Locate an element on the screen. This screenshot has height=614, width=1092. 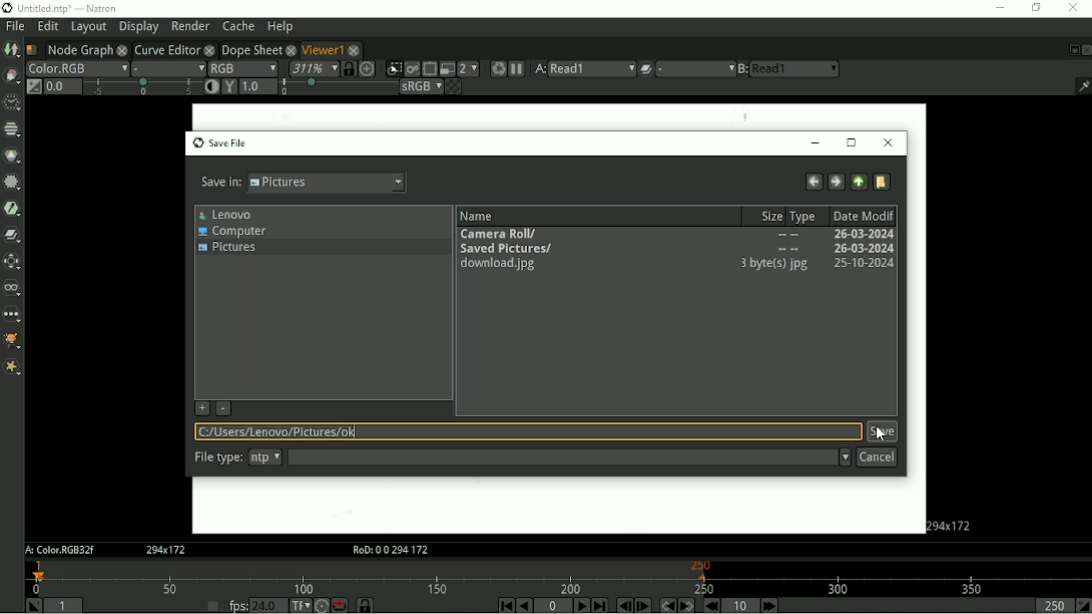
Name is located at coordinates (477, 216).